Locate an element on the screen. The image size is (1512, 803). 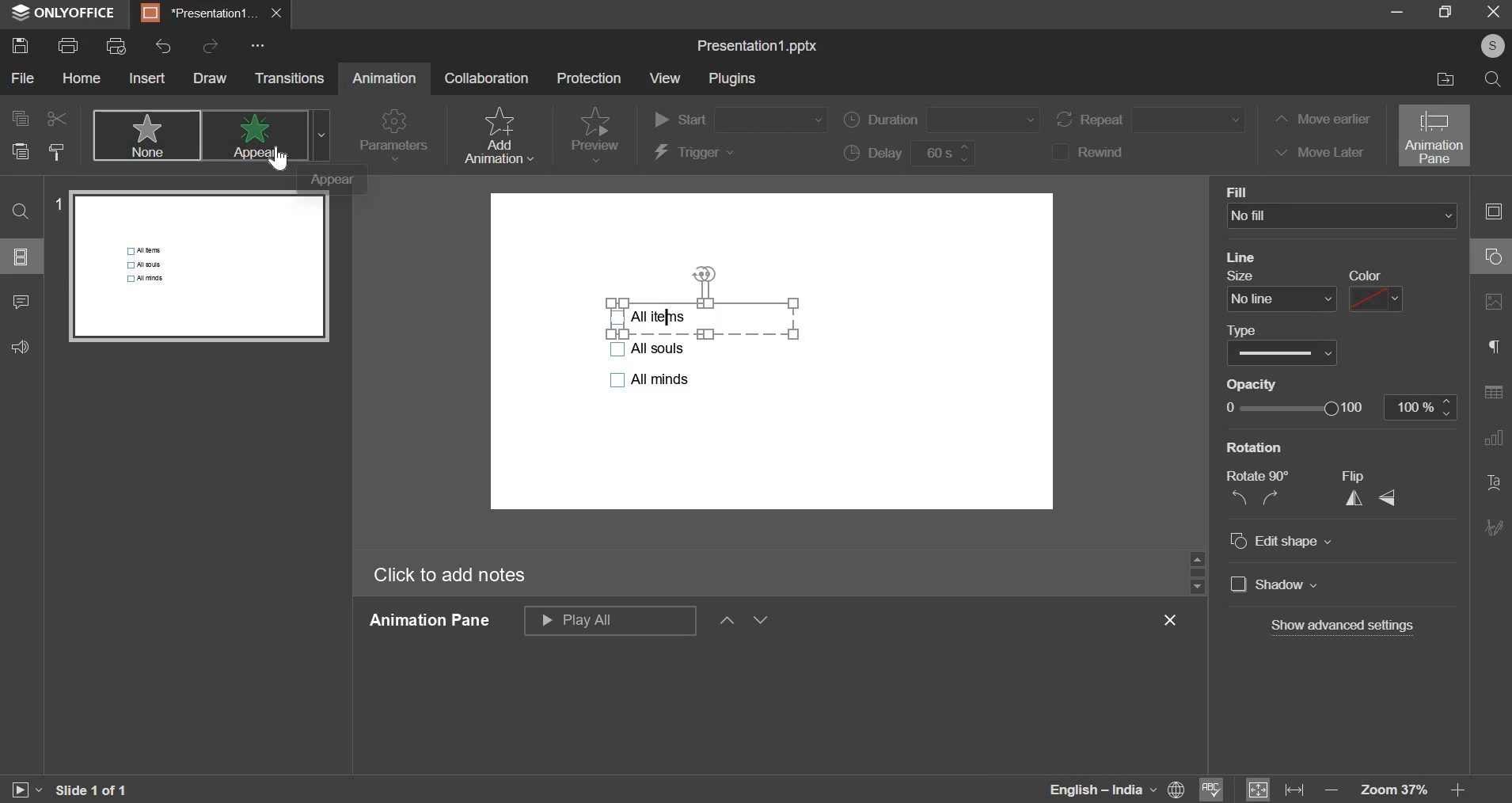
exit is located at coordinates (1487, 15).